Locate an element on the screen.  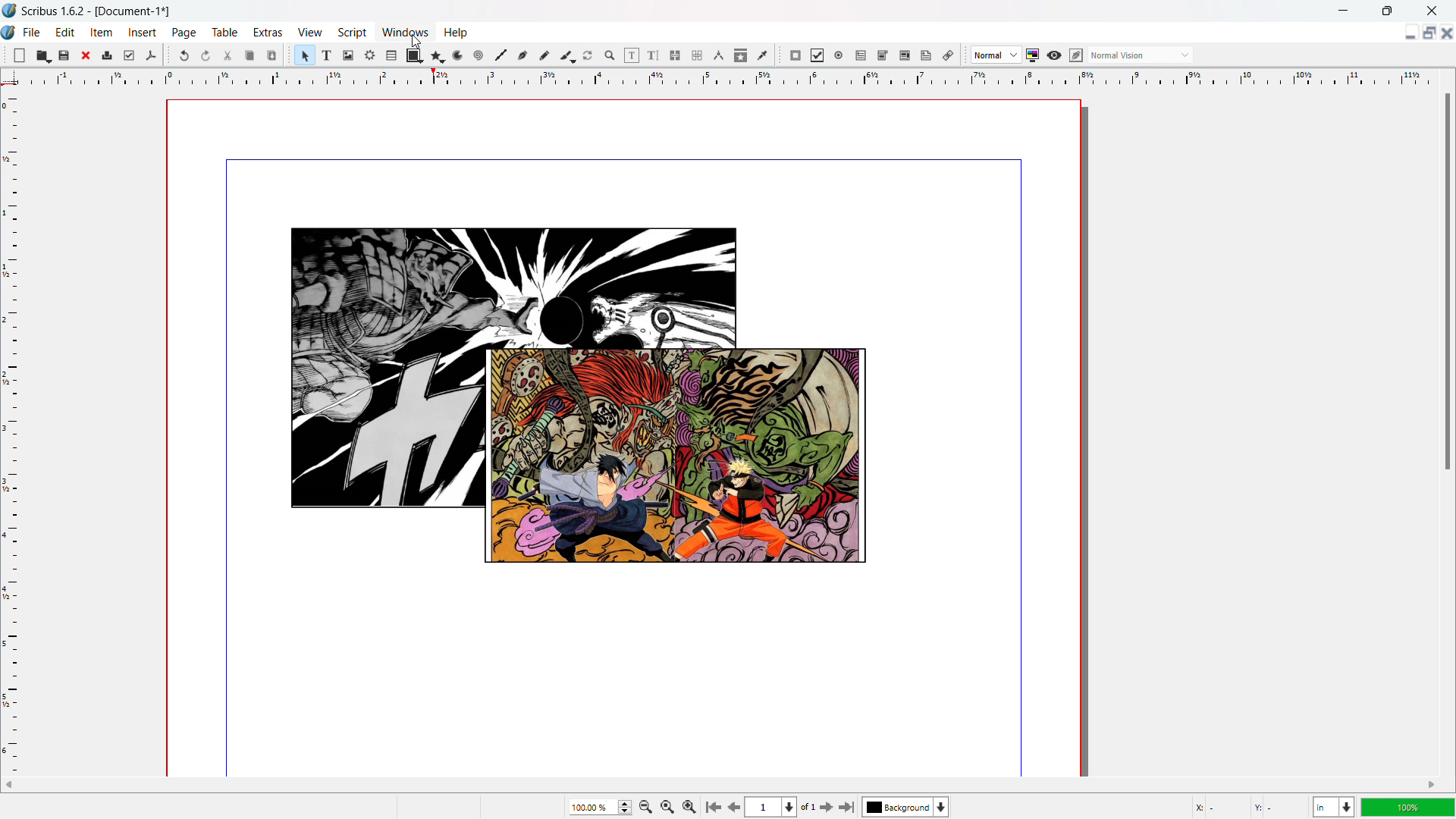
pdf combo box is located at coordinates (883, 55).